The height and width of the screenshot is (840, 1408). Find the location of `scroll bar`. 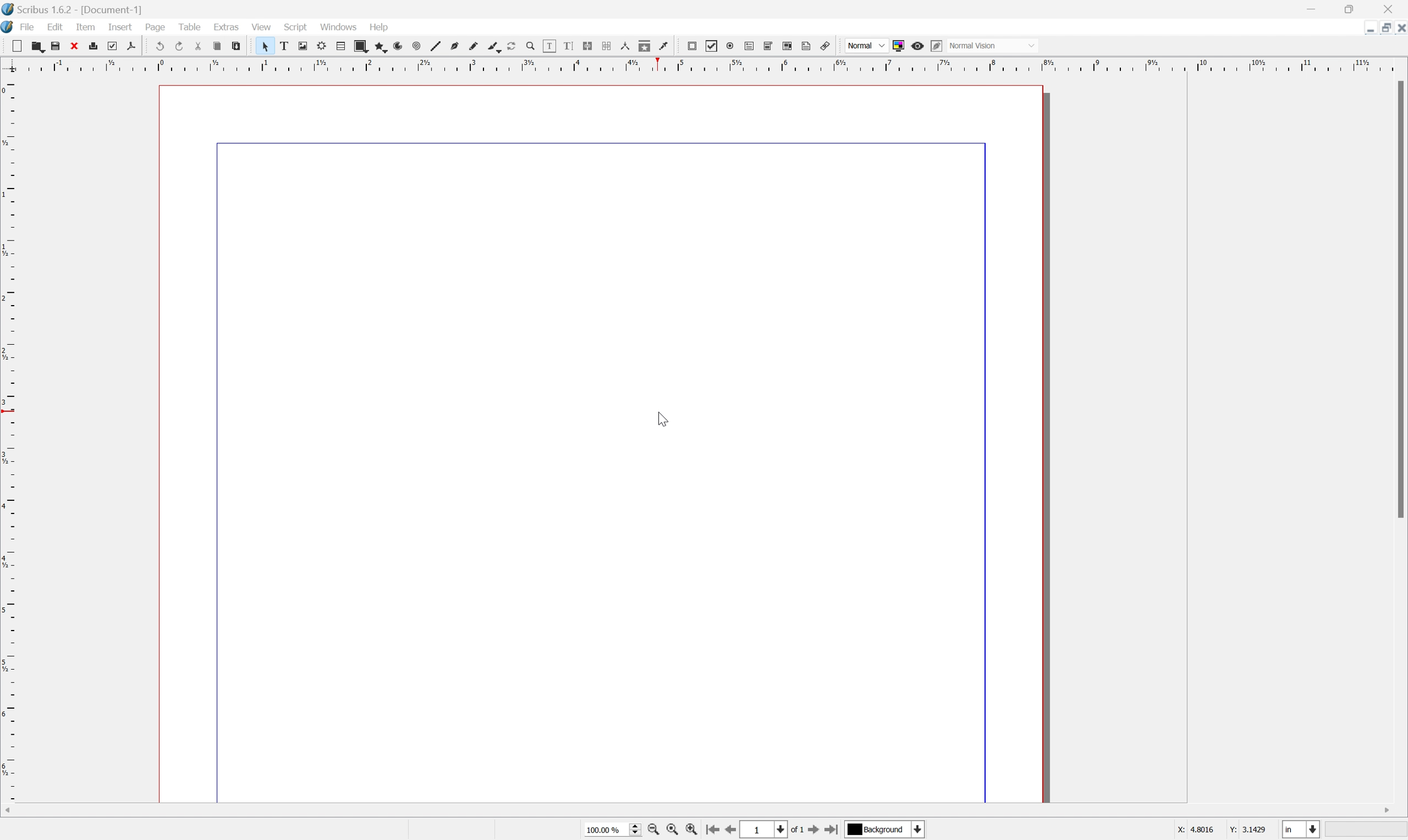

scroll bar is located at coordinates (1399, 299).